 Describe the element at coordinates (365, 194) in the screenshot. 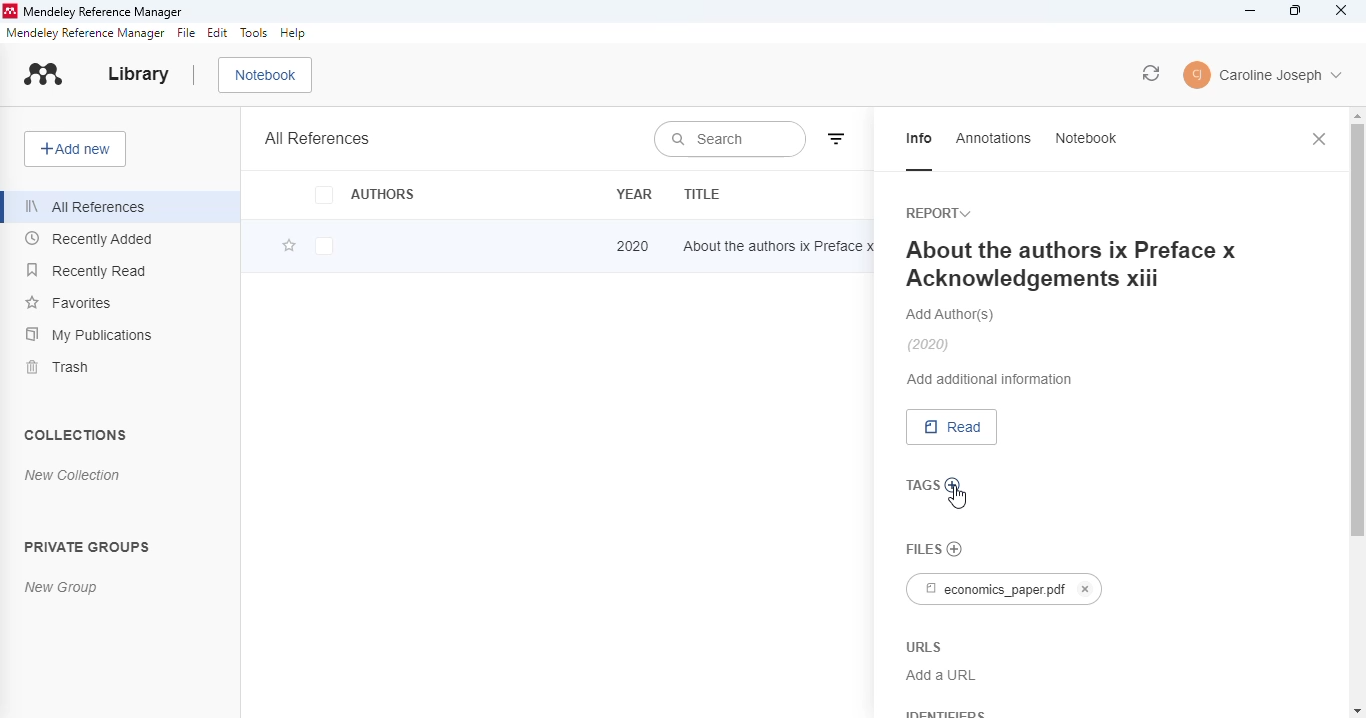

I see `authors` at that location.